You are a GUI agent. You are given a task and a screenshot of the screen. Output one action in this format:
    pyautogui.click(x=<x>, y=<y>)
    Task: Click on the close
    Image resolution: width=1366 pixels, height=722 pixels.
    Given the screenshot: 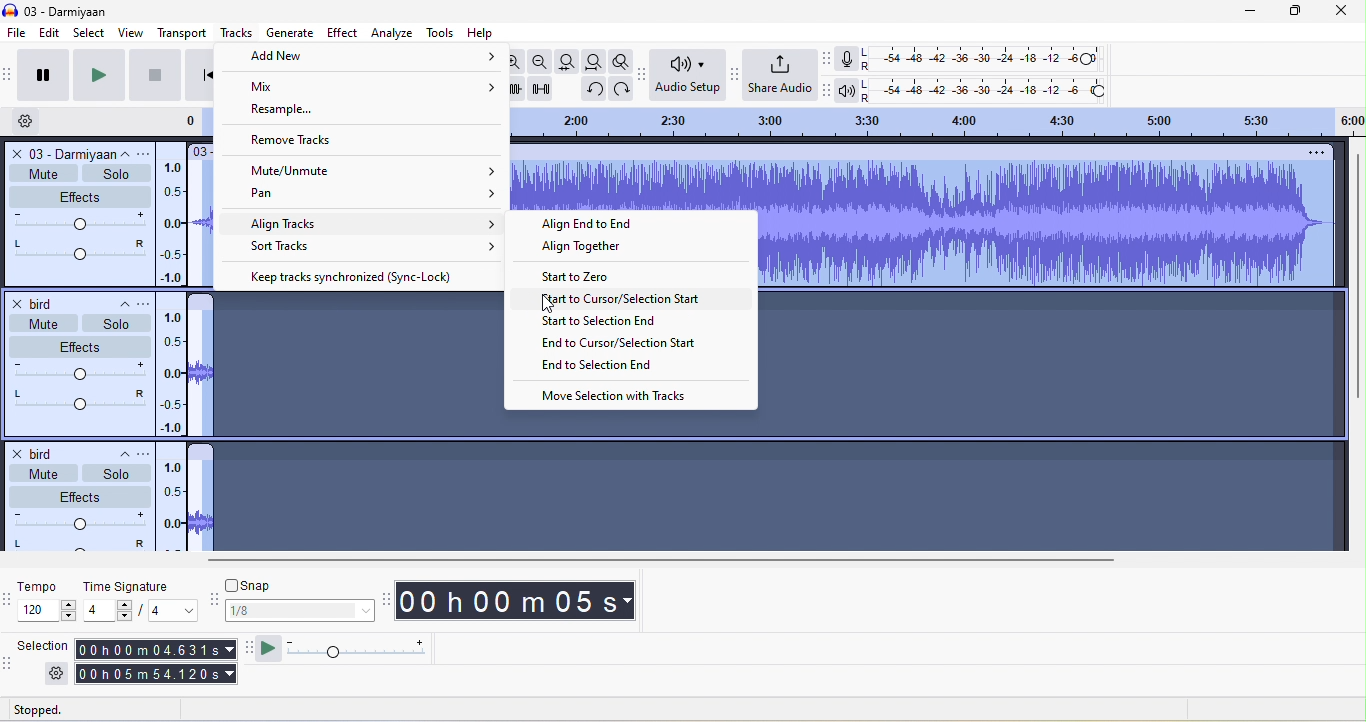 What is the action you would take?
    pyautogui.click(x=1338, y=11)
    